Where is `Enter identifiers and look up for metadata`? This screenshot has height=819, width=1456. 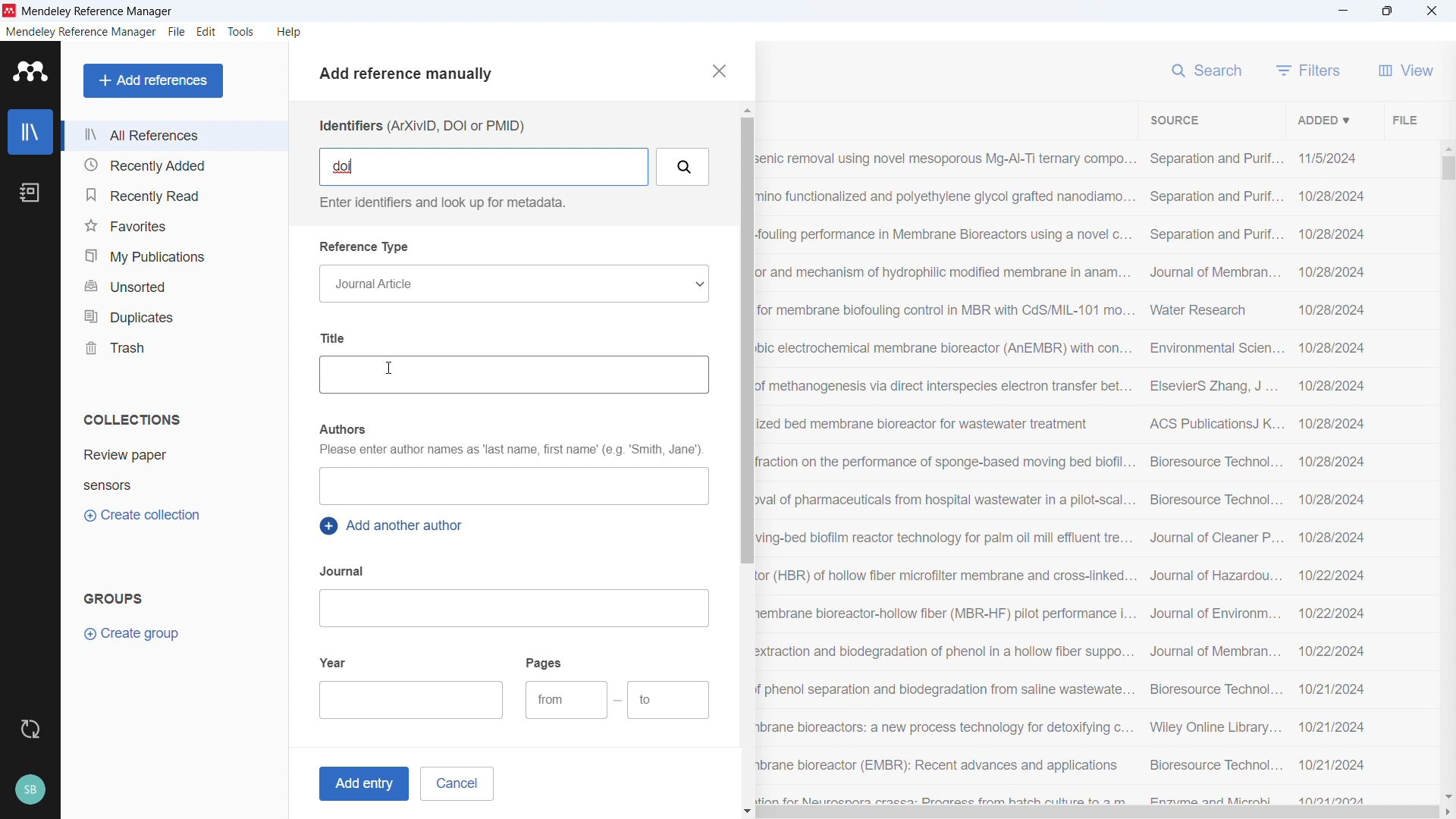
Enter identifiers and look up for metadata is located at coordinates (440, 202).